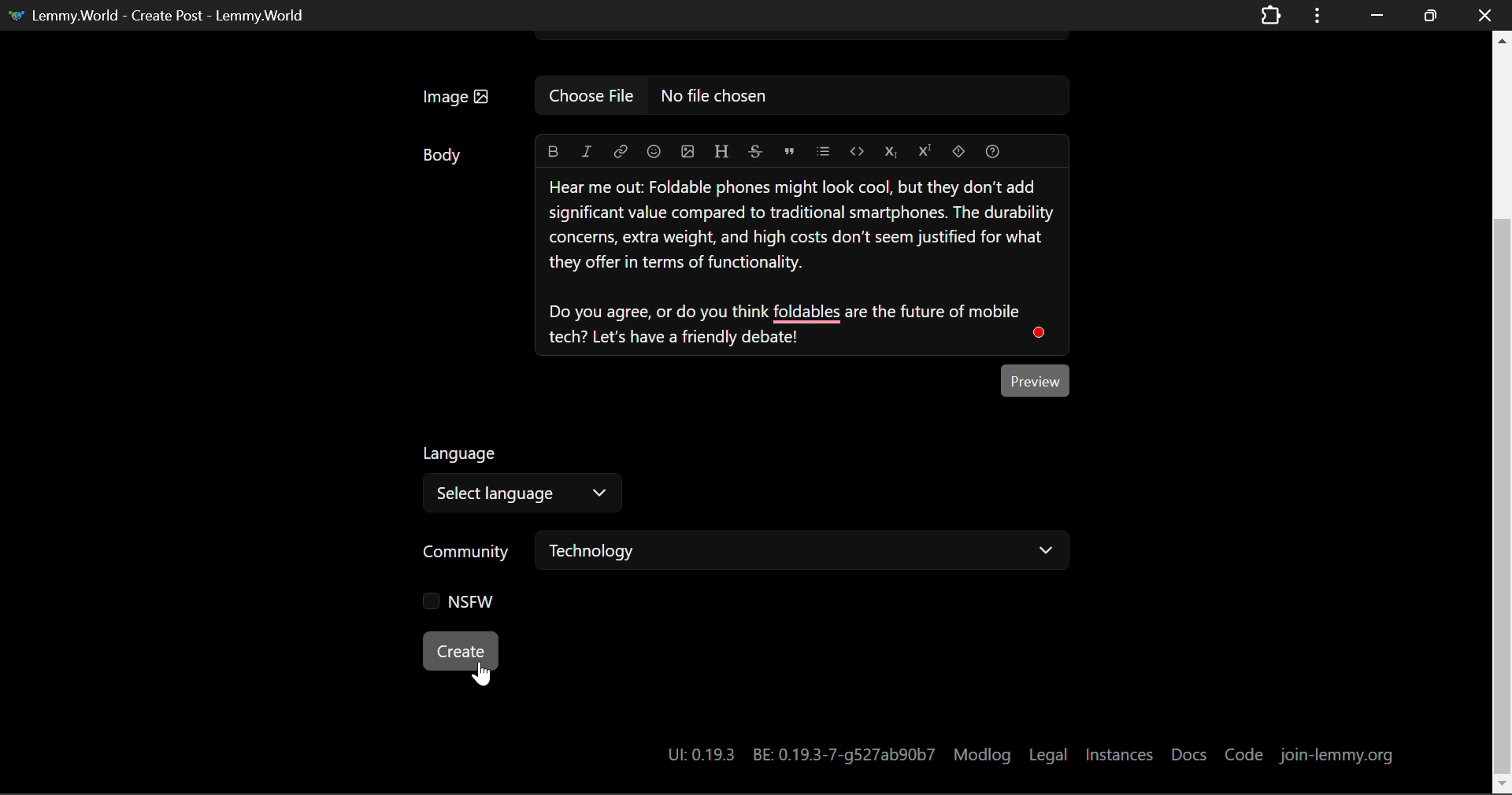  Describe the element at coordinates (656, 152) in the screenshot. I see `emoji` at that location.